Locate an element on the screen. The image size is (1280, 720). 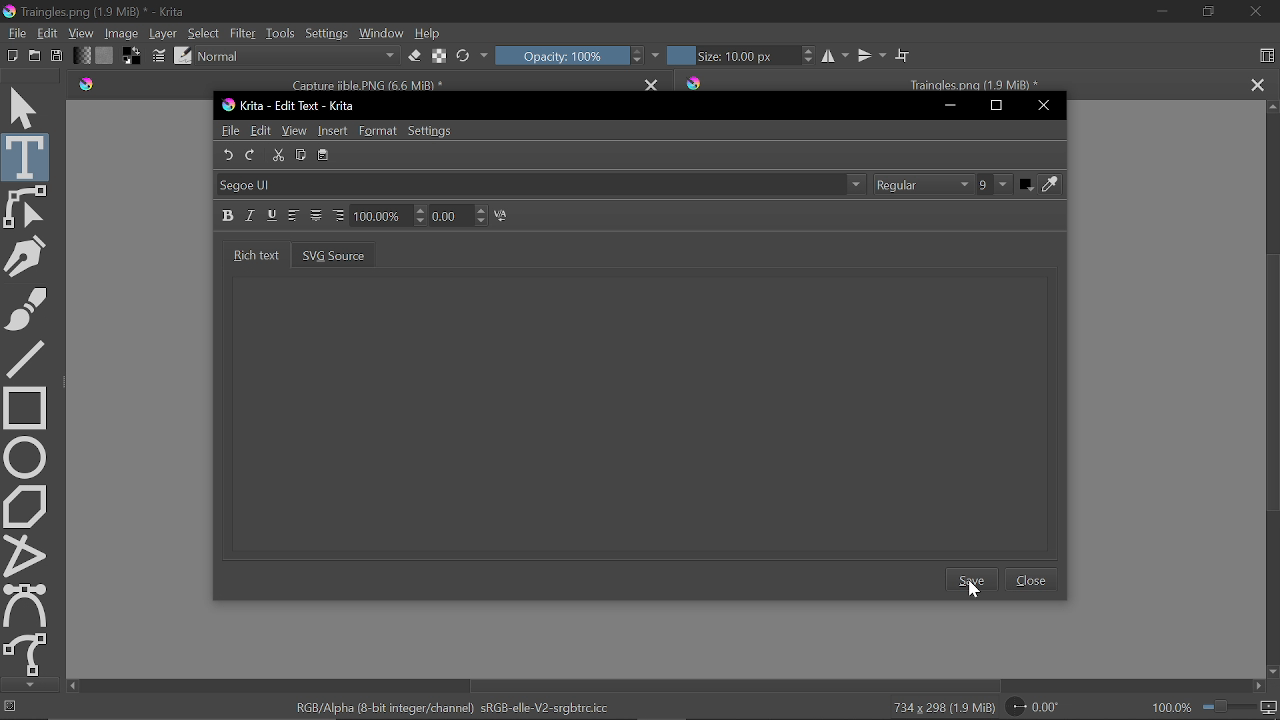
Bezier curve tool is located at coordinates (26, 603).